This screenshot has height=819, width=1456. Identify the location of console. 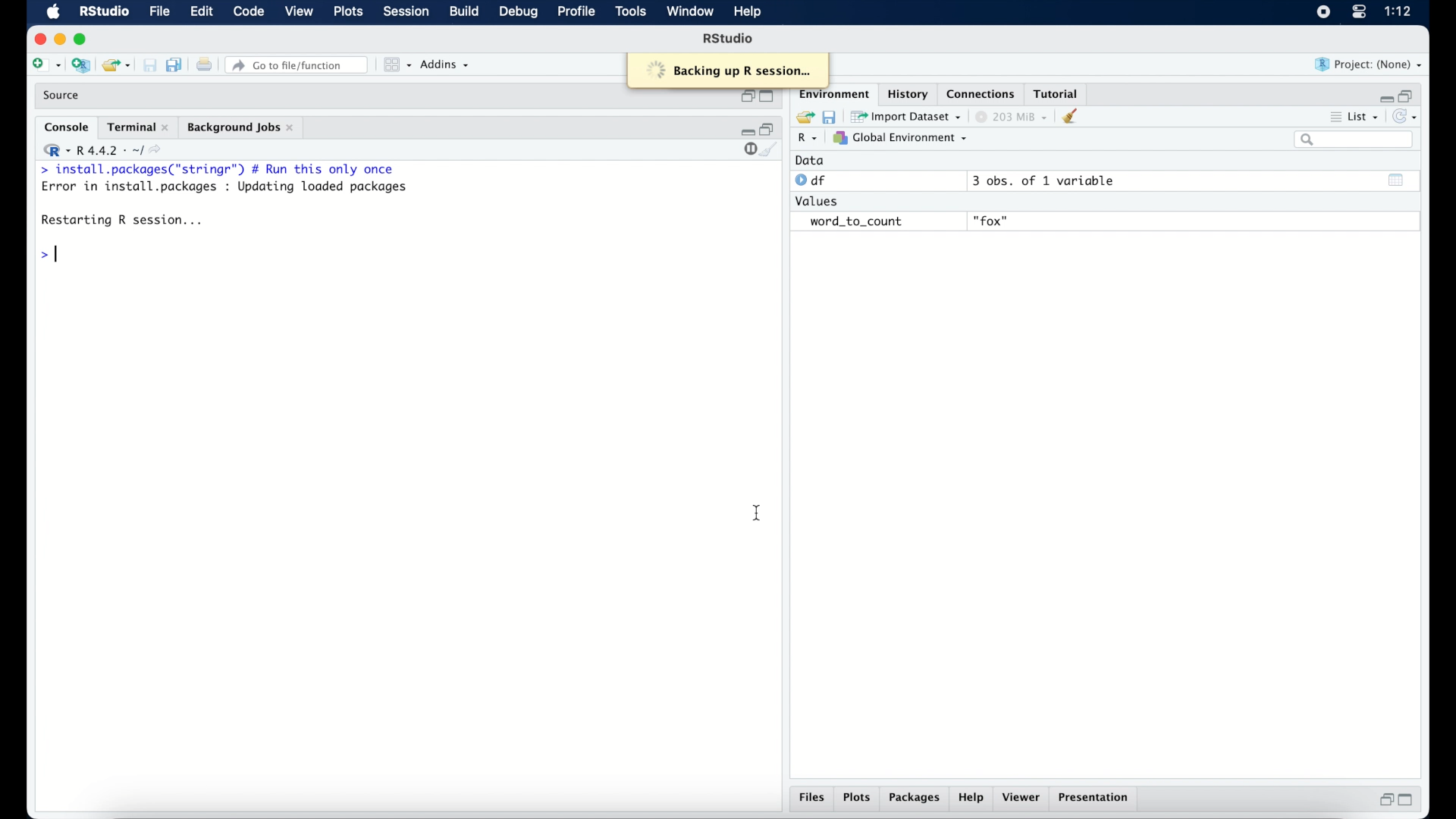
(67, 127).